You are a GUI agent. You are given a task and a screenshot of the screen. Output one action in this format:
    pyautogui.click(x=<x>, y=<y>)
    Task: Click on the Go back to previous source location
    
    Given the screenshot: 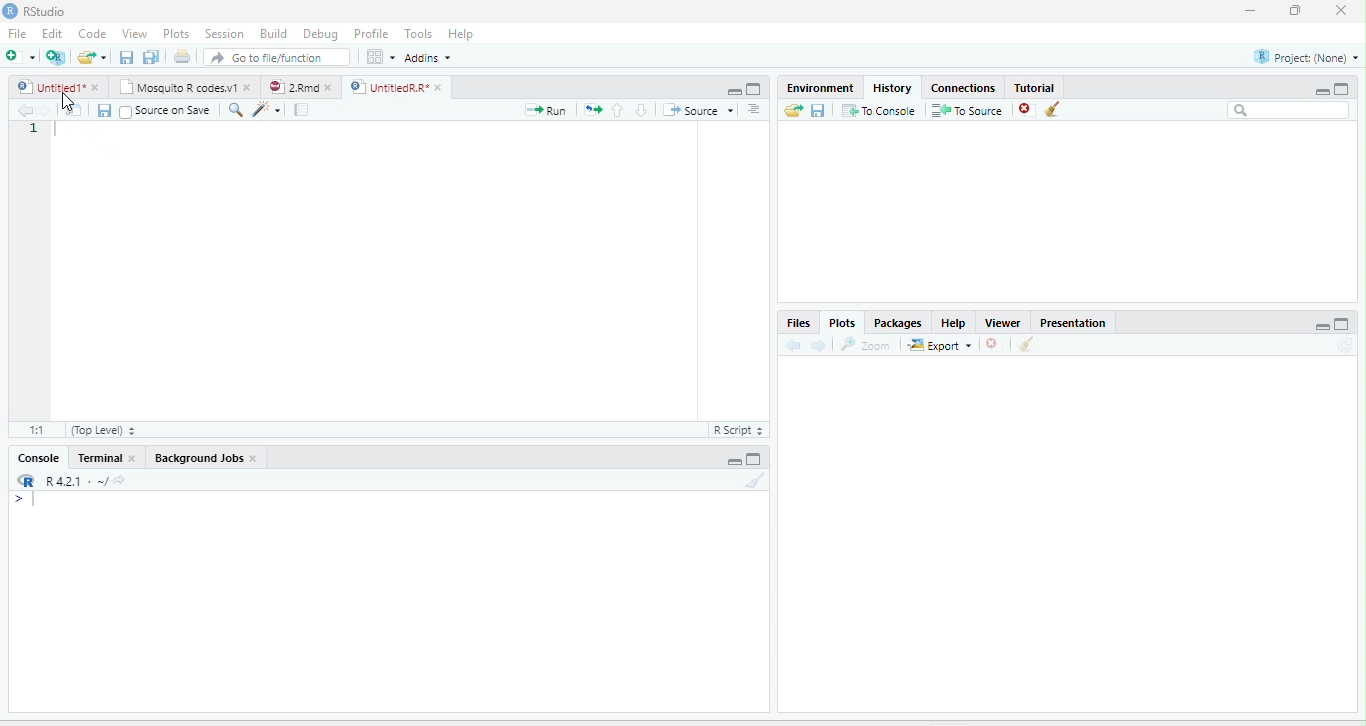 What is the action you would take?
    pyautogui.click(x=22, y=110)
    